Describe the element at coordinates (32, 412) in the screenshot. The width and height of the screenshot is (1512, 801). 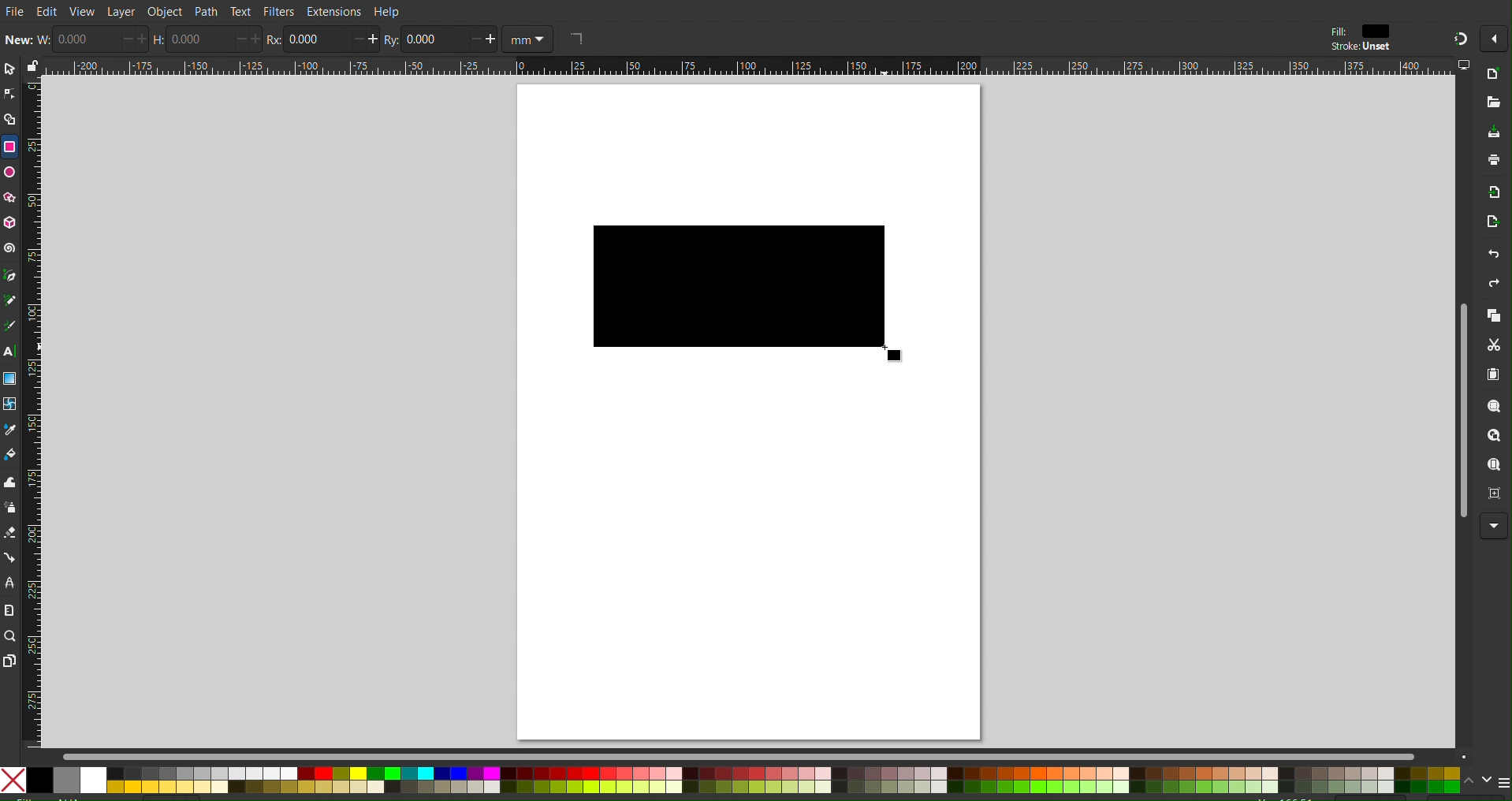
I see `Vertical Ruler` at that location.